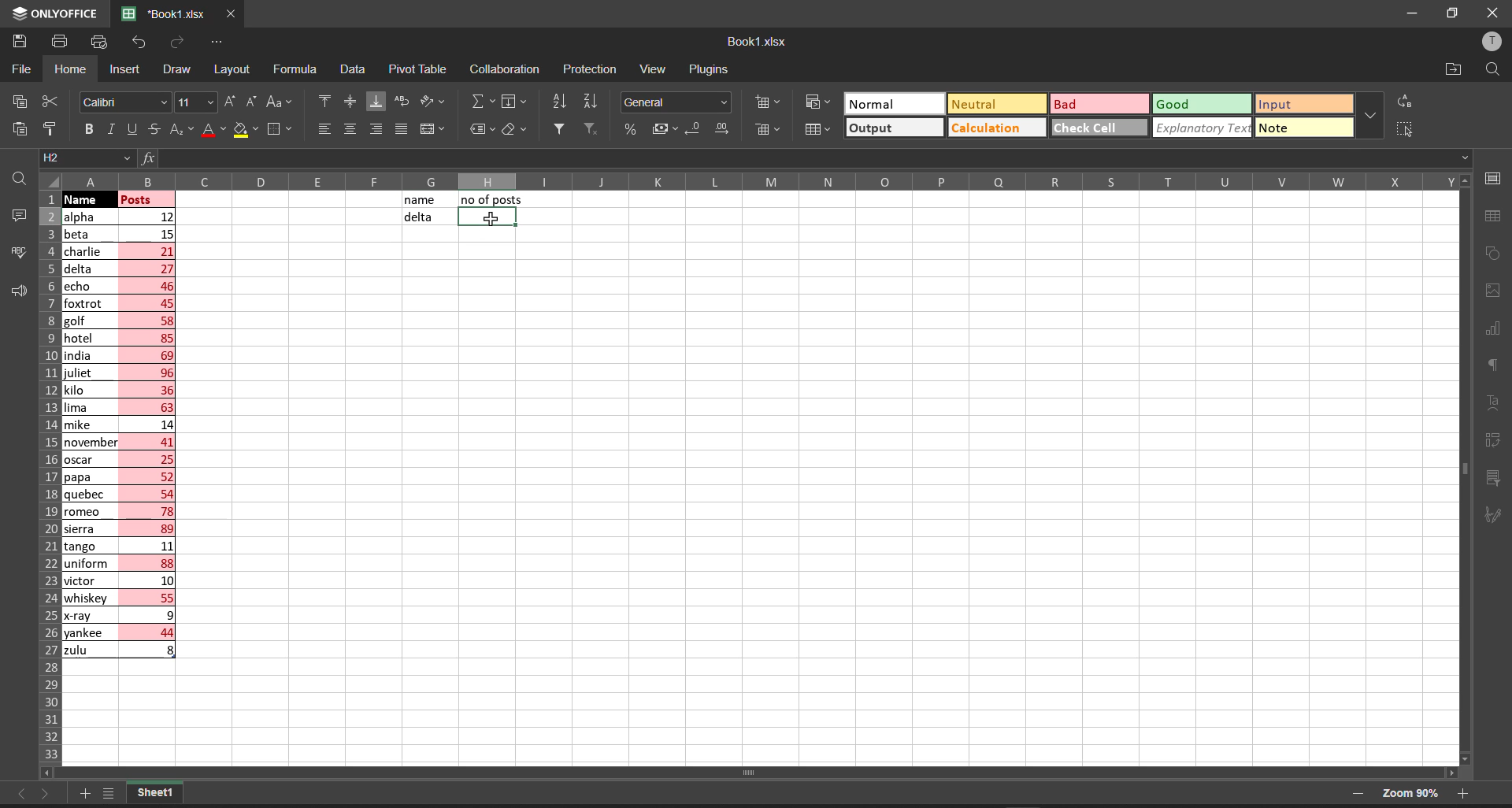  I want to click on align bottom, so click(376, 101).